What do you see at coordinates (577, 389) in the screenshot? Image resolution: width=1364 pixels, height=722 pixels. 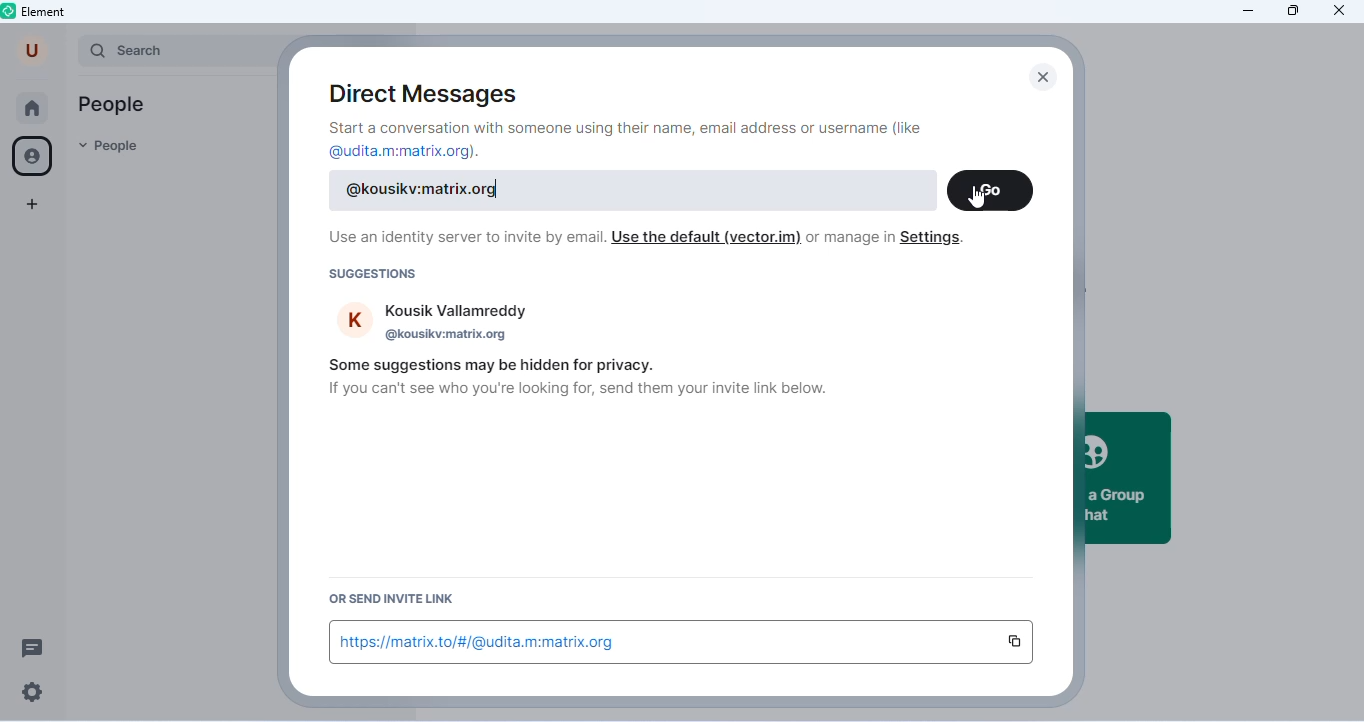 I see `If you can't see who you're looking for, send them your invite link below.` at bounding box center [577, 389].